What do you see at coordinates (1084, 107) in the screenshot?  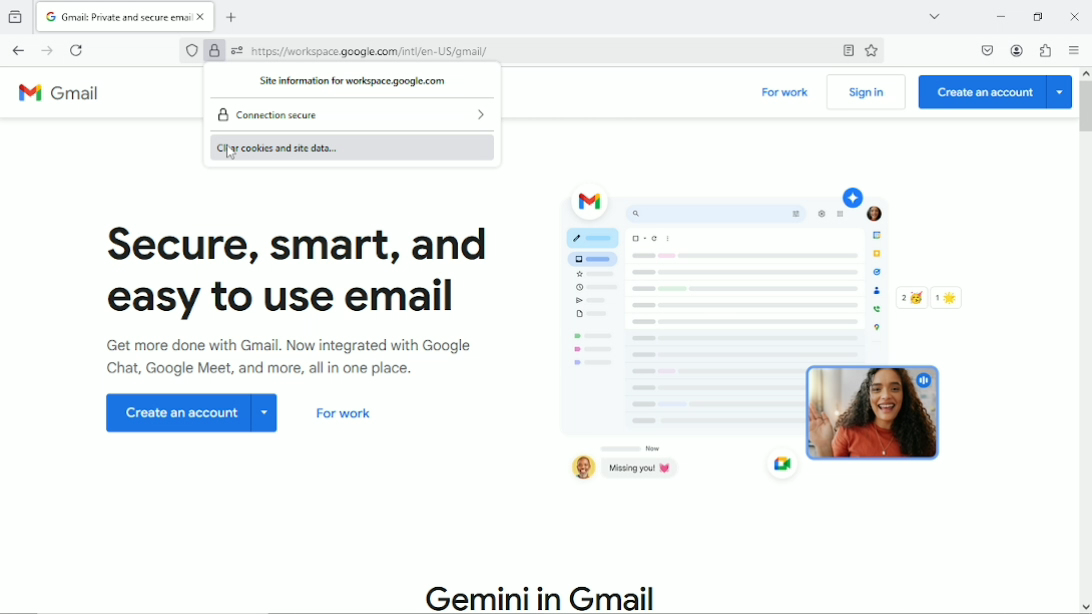 I see `Vertical scrollbar` at bounding box center [1084, 107].